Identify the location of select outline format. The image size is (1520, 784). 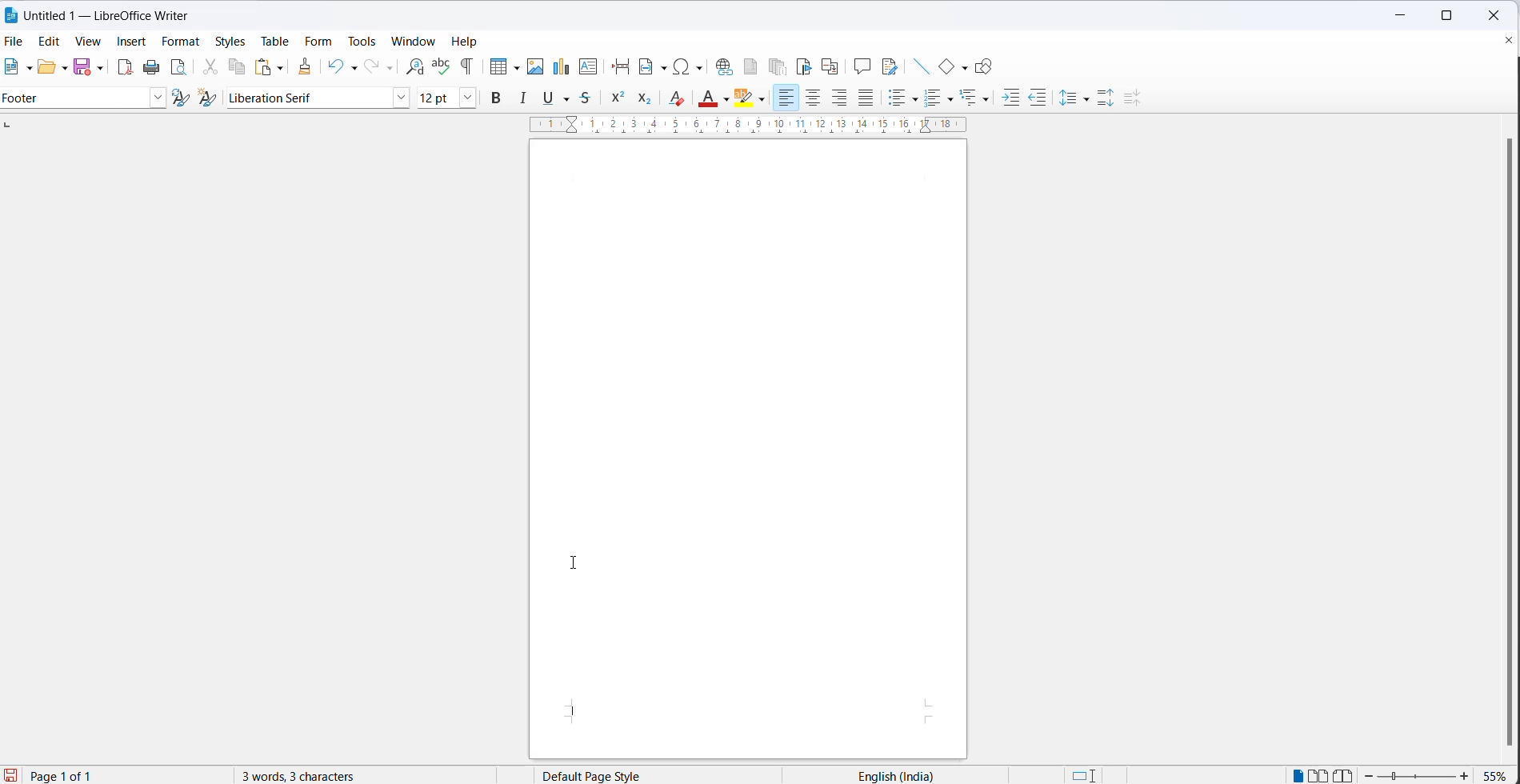
(976, 99).